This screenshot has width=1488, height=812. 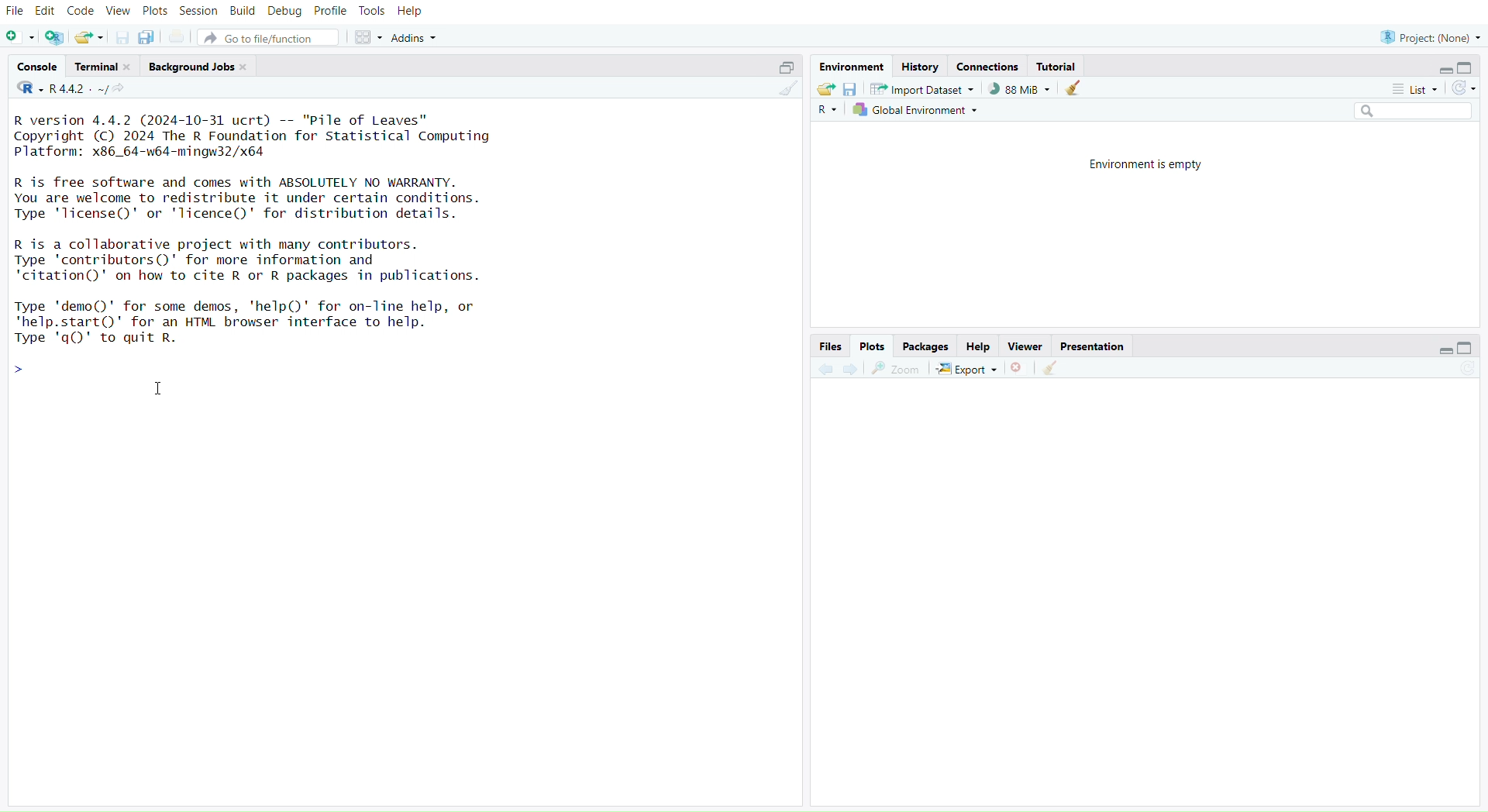 What do you see at coordinates (1055, 369) in the screenshot?
I see `clear all plot` at bounding box center [1055, 369].